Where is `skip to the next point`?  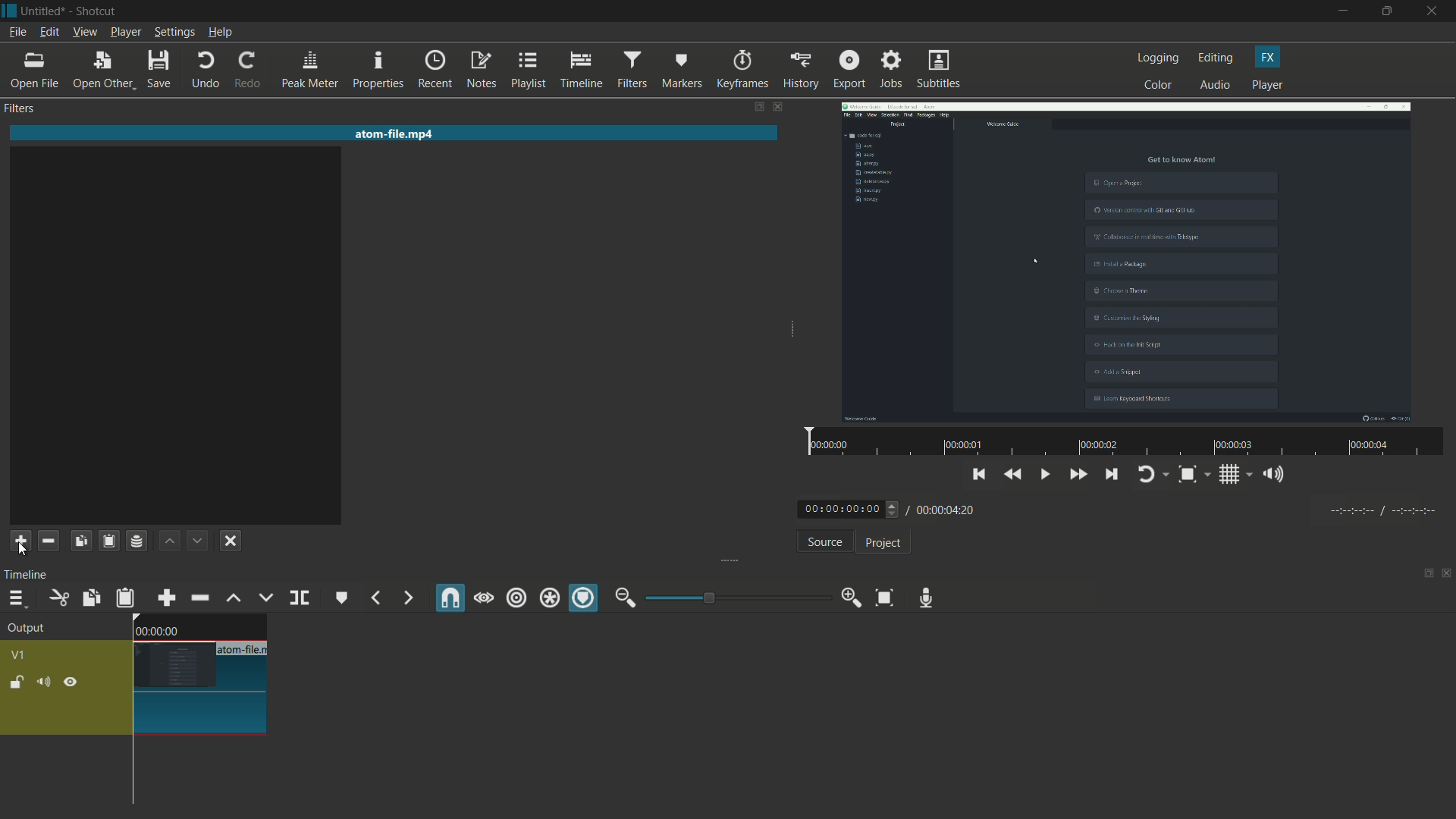 skip to the next point is located at coordinates (1112, 476).